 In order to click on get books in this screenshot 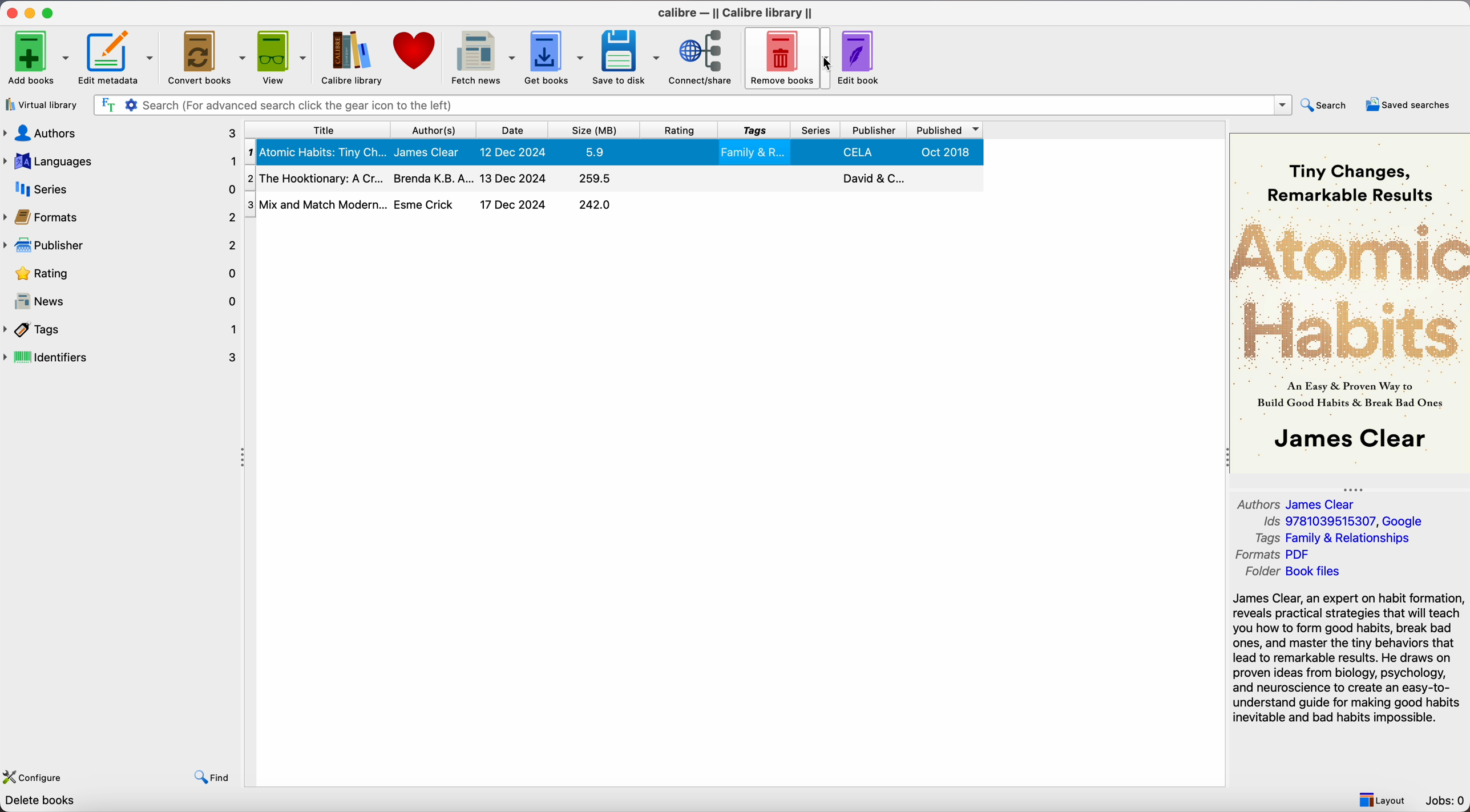, I will do `click(555, 57)`.